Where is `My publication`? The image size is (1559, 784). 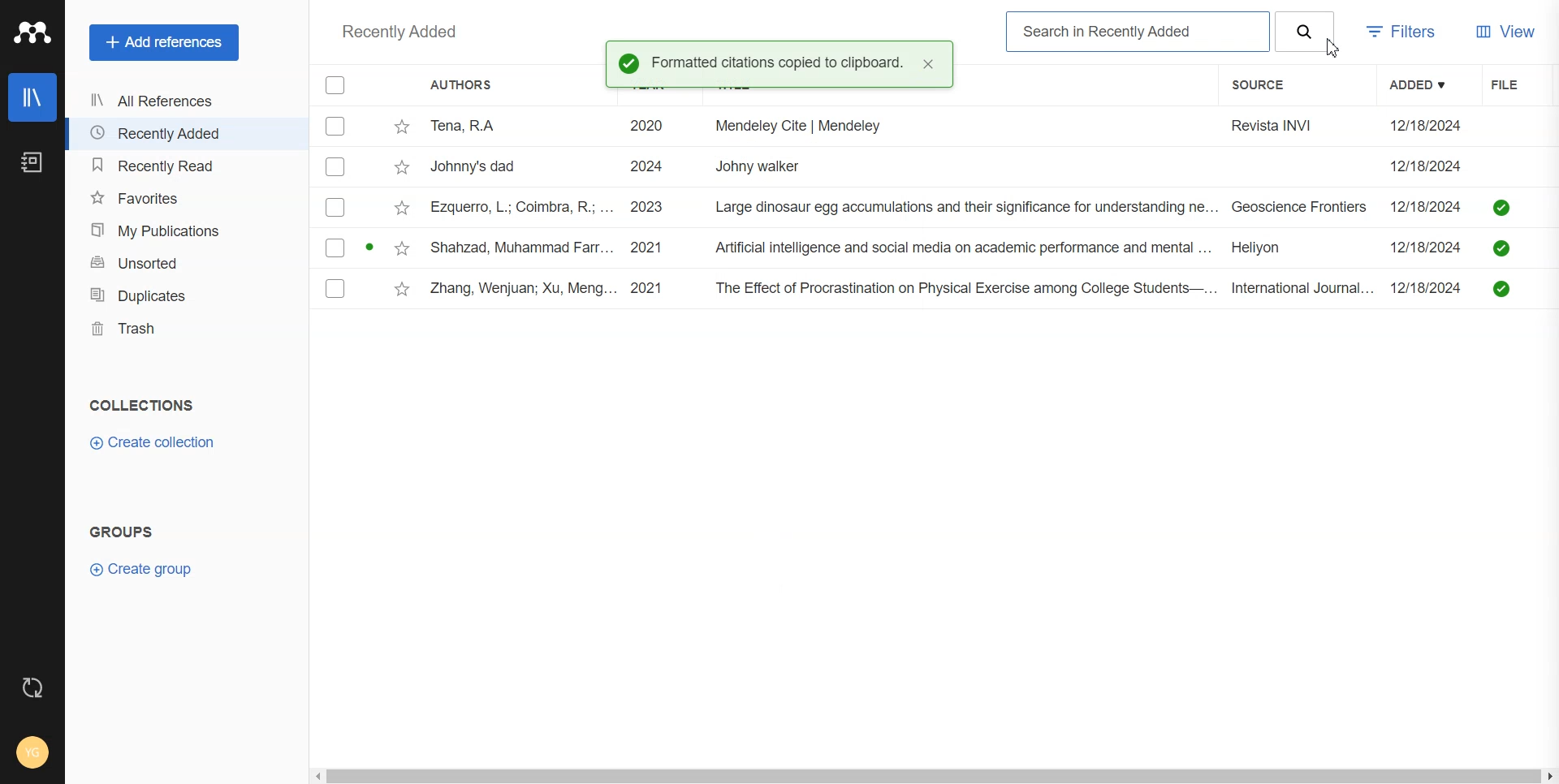
My publication is located at coordinates (187, 230).